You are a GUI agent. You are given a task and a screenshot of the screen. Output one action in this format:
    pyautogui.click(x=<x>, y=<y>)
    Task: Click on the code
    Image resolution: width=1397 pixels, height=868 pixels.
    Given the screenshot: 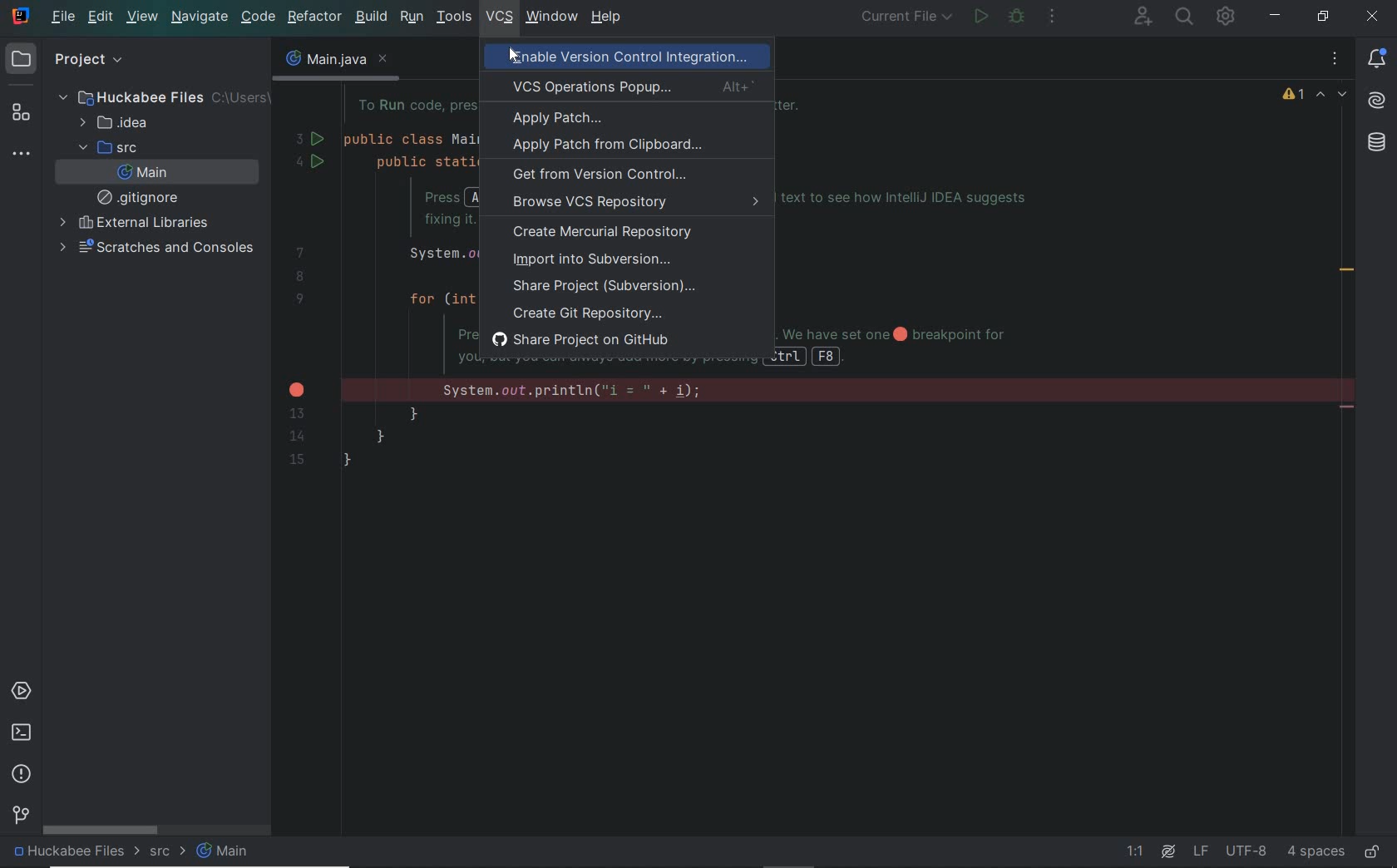 What is the action you would take?
    pyautogui.click(x=259, y=18)
    